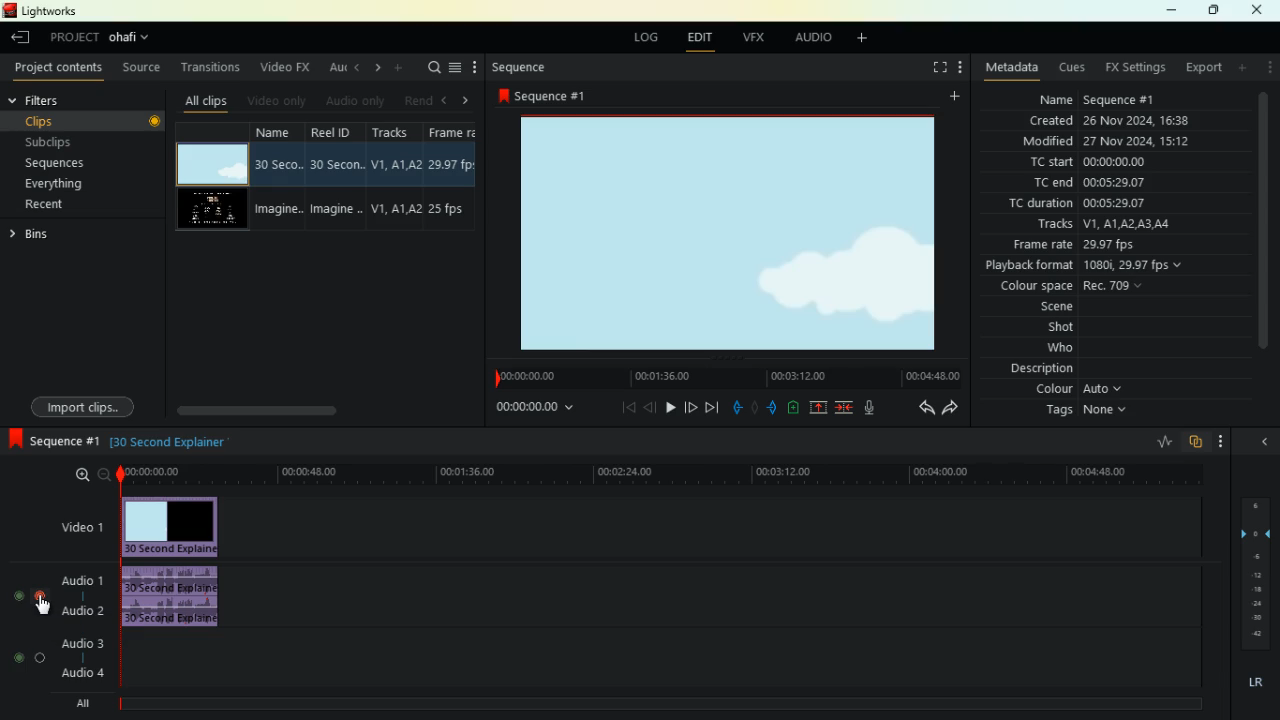 The width and height of the screenshot is (1280, 720). I want to click on hold, so click(753, 408).